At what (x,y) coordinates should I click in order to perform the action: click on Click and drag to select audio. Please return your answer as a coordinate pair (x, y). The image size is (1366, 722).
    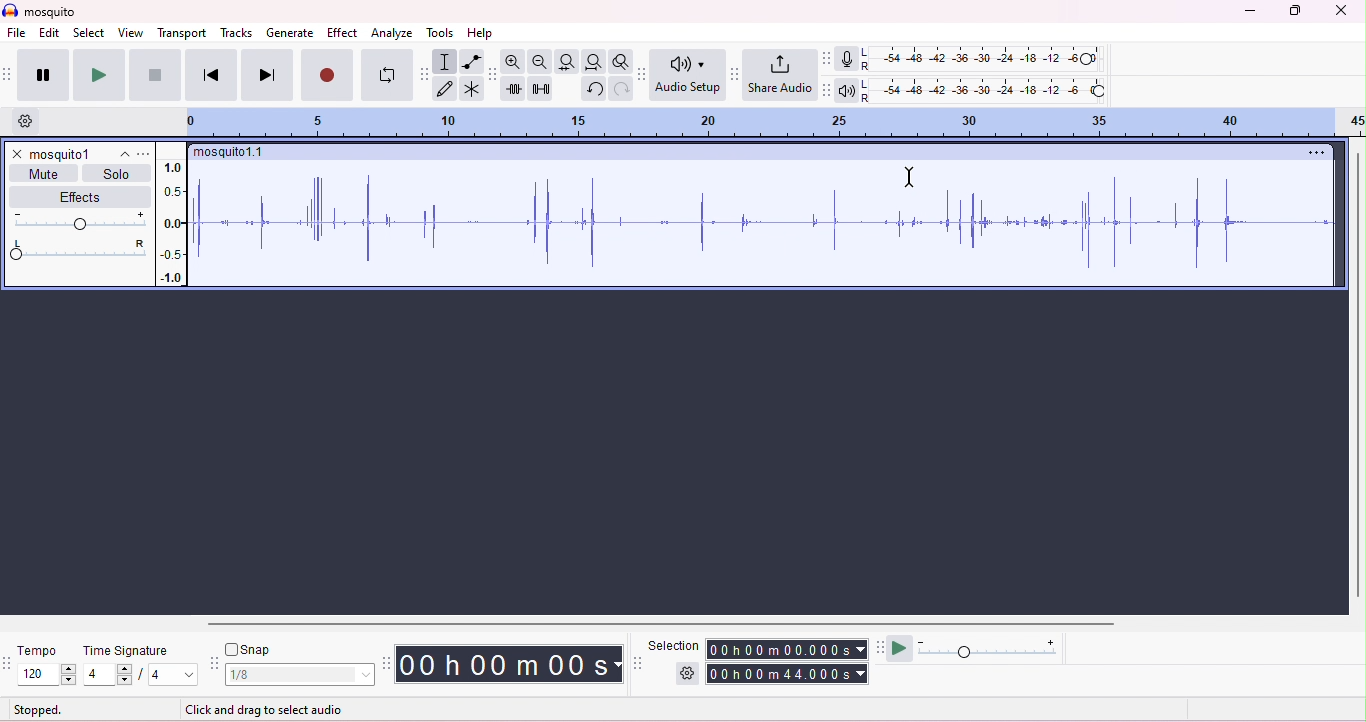
    Looking at the image, I should click on (280, 708).